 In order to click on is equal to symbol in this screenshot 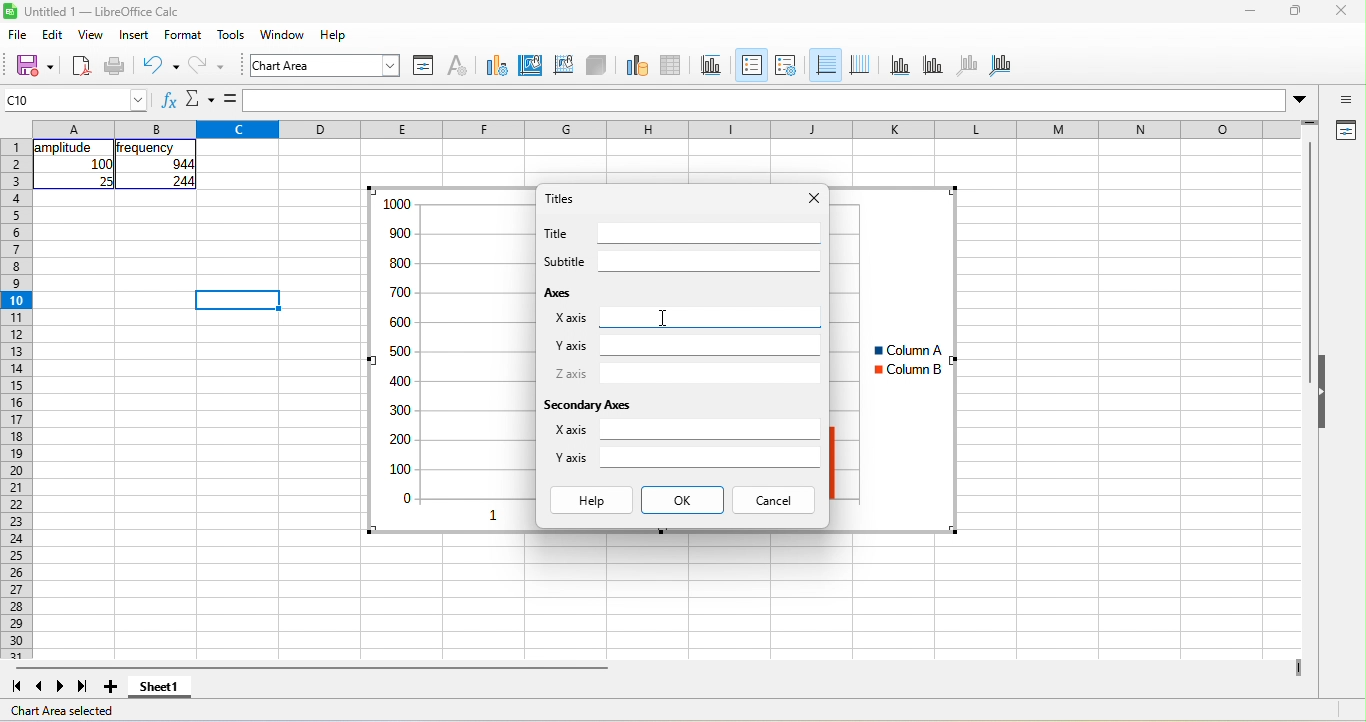, I will do `click(230, 99)`.